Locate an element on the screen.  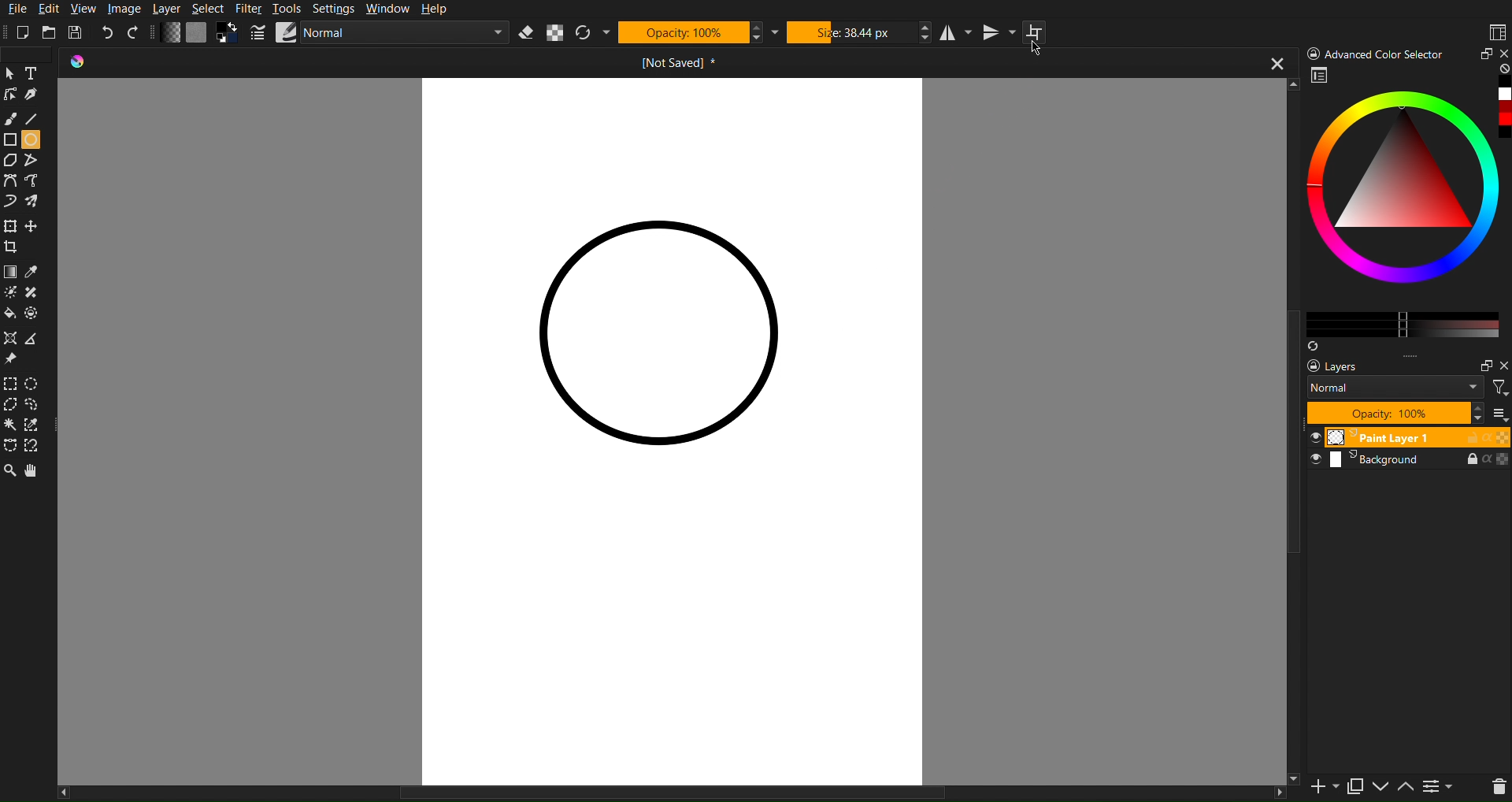
Selection free is located at coordinates (32, 405).